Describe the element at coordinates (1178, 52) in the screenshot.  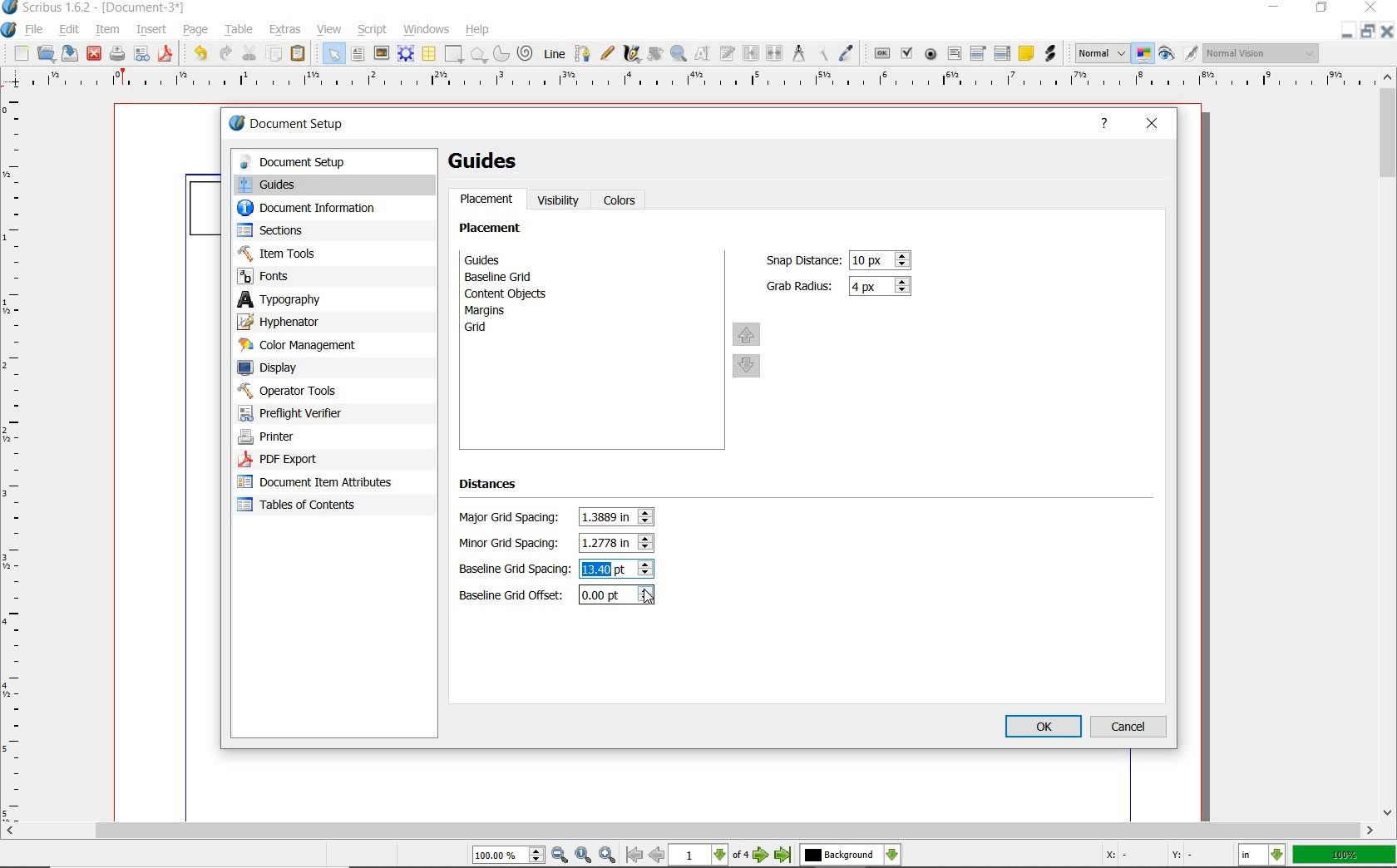
I see `preview mode` at that location.